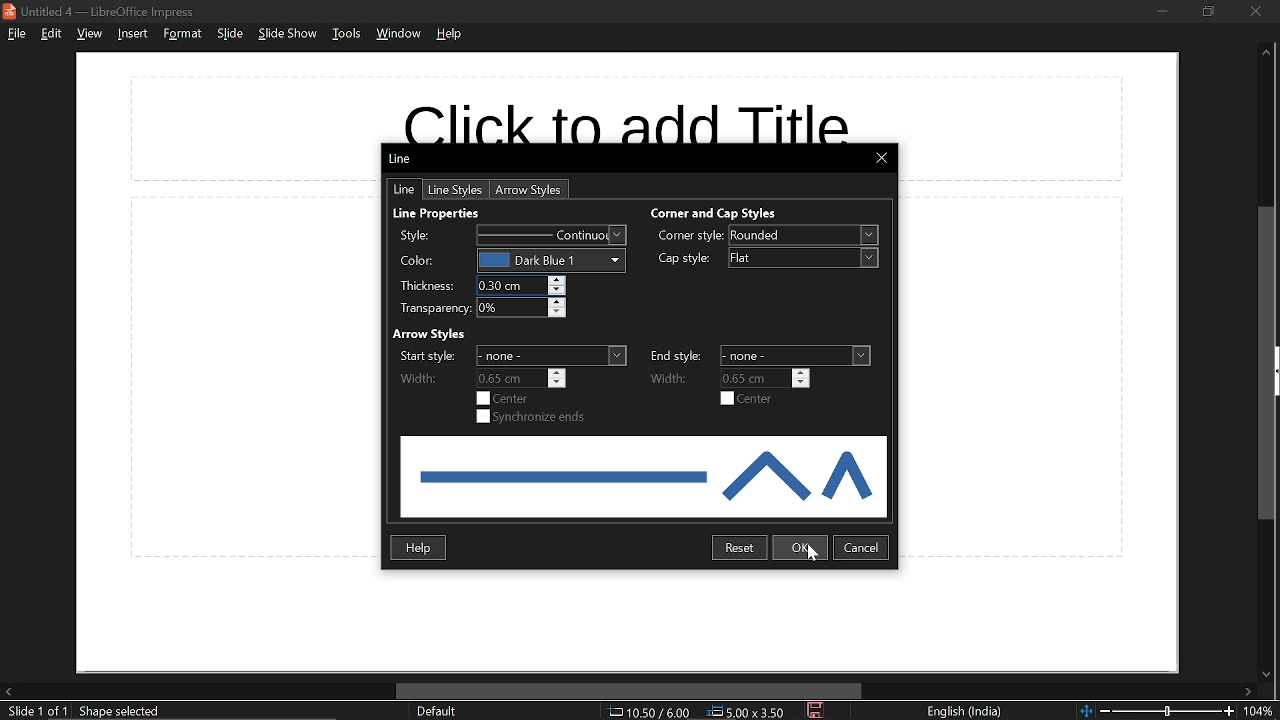  What do you see at coordinates (747, 398) in the screenshot?
I see `end center` at bounding box center [747, 398].